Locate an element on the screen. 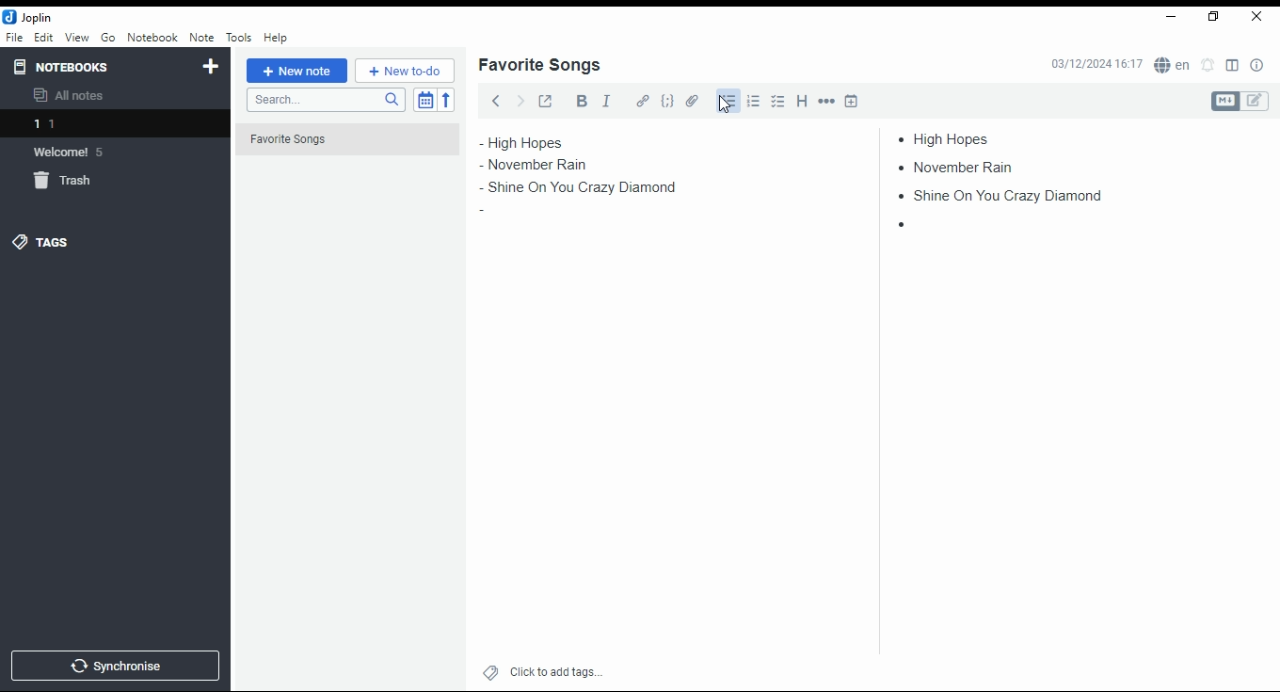  bullets is located at coordinates (726, 101).